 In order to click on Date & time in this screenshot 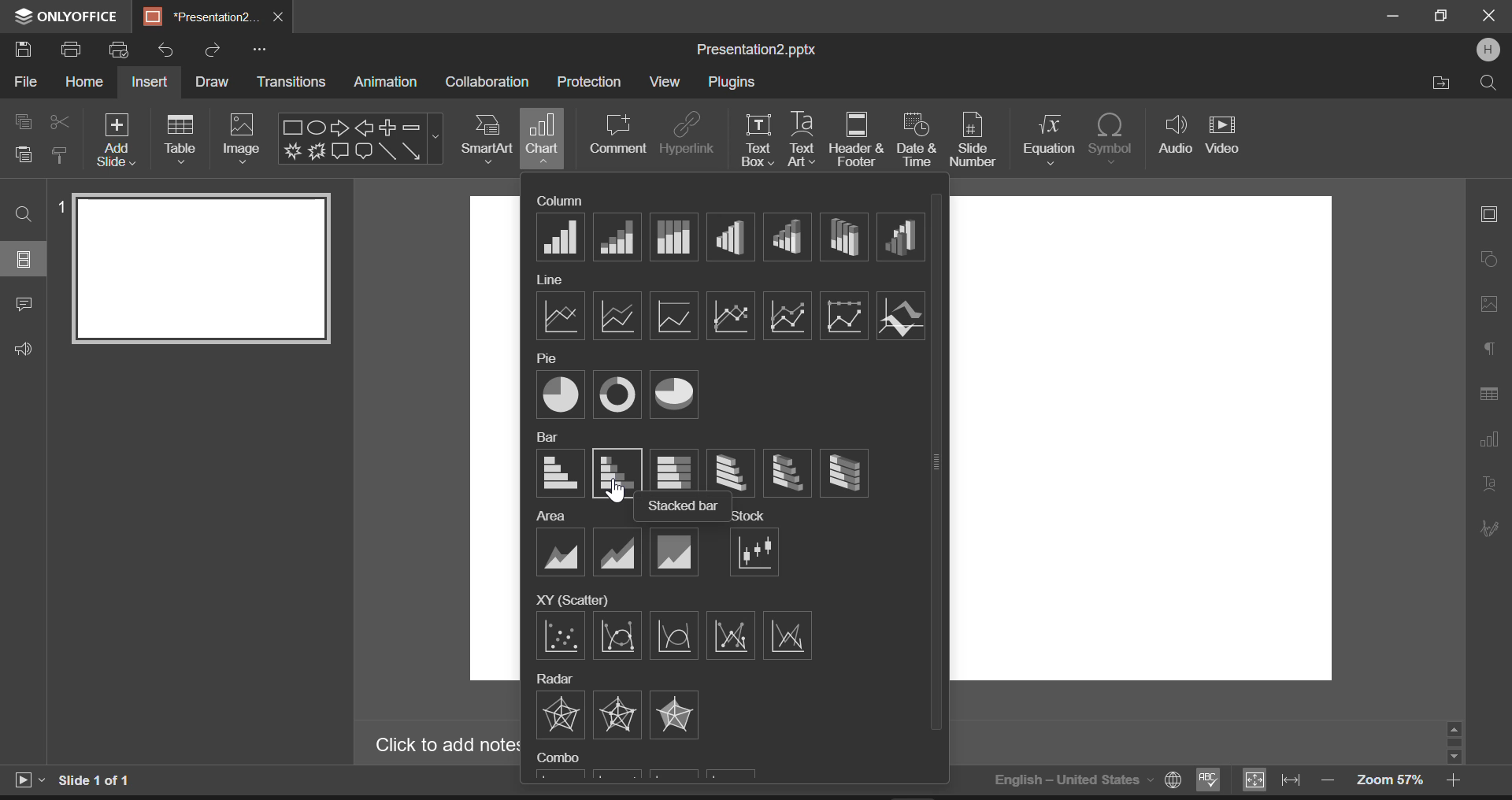, I will do `click(917, 139)`.